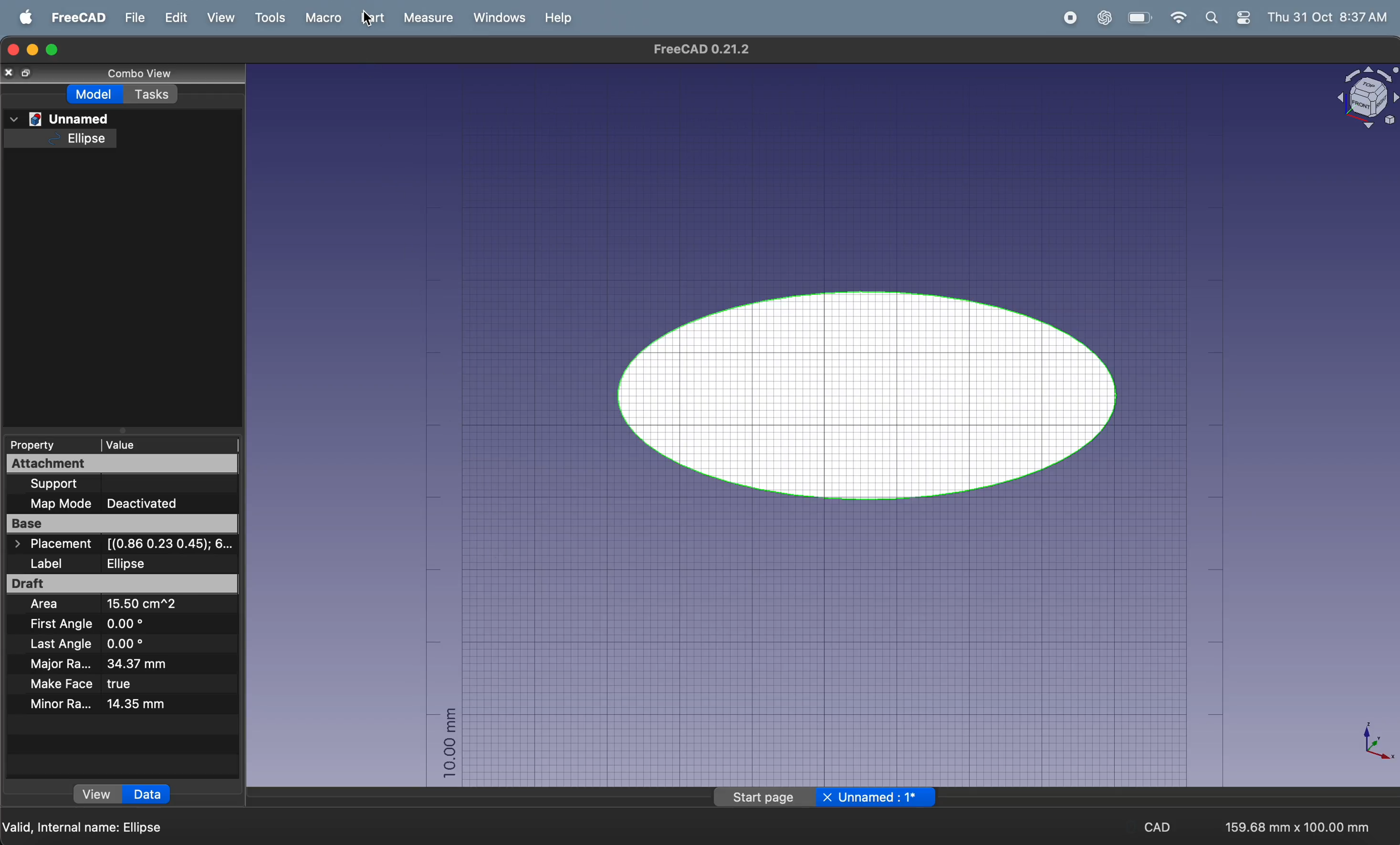  I want to click on deactivated, so click(149, 504).